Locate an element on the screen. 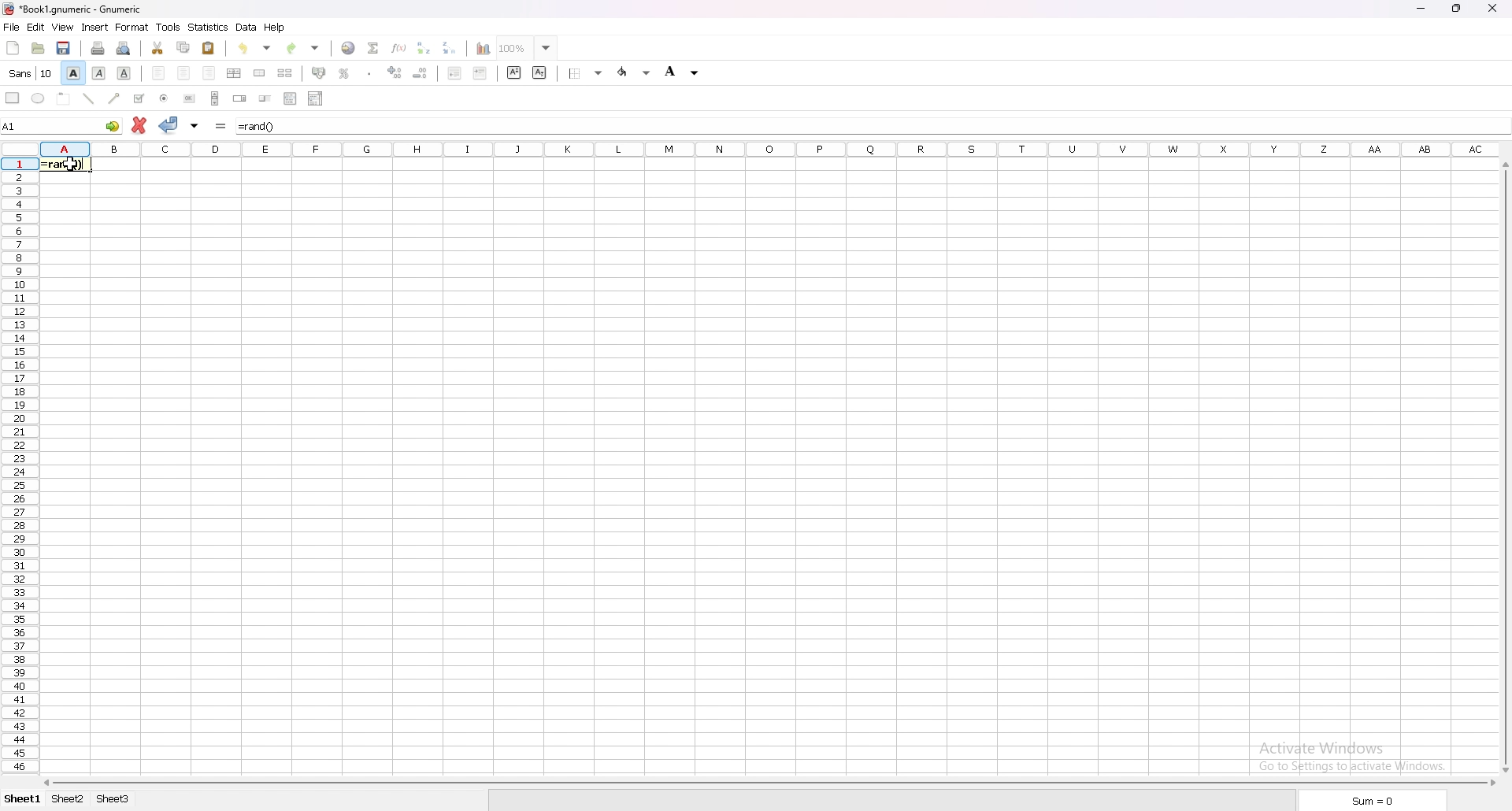  file is located at coordinates (11, 28).